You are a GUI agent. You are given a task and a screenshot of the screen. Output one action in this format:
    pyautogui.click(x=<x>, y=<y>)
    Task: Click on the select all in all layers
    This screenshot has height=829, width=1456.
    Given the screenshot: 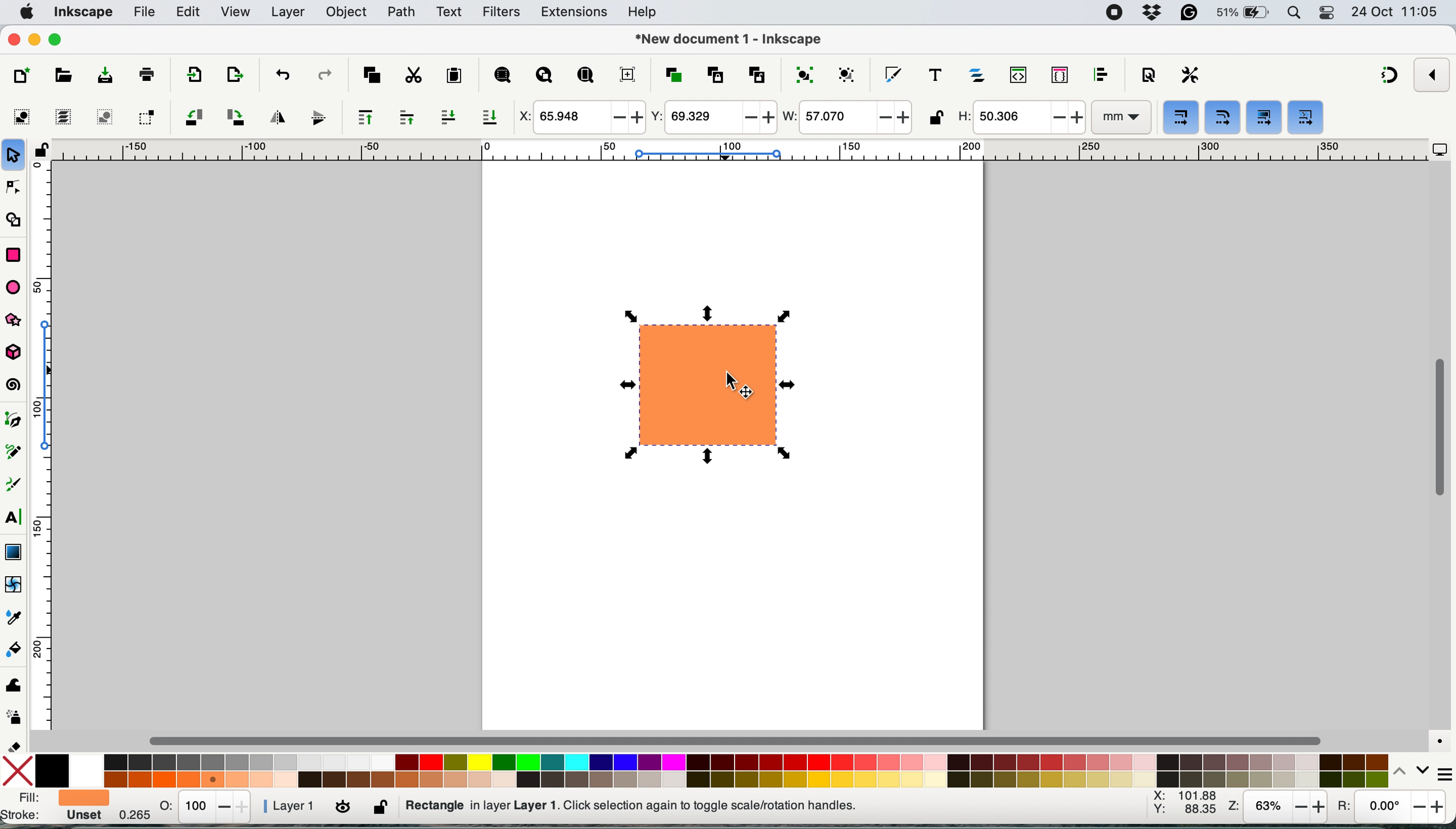 What is the action you would take?
    pyautogui.click(x=64, y=117)
    